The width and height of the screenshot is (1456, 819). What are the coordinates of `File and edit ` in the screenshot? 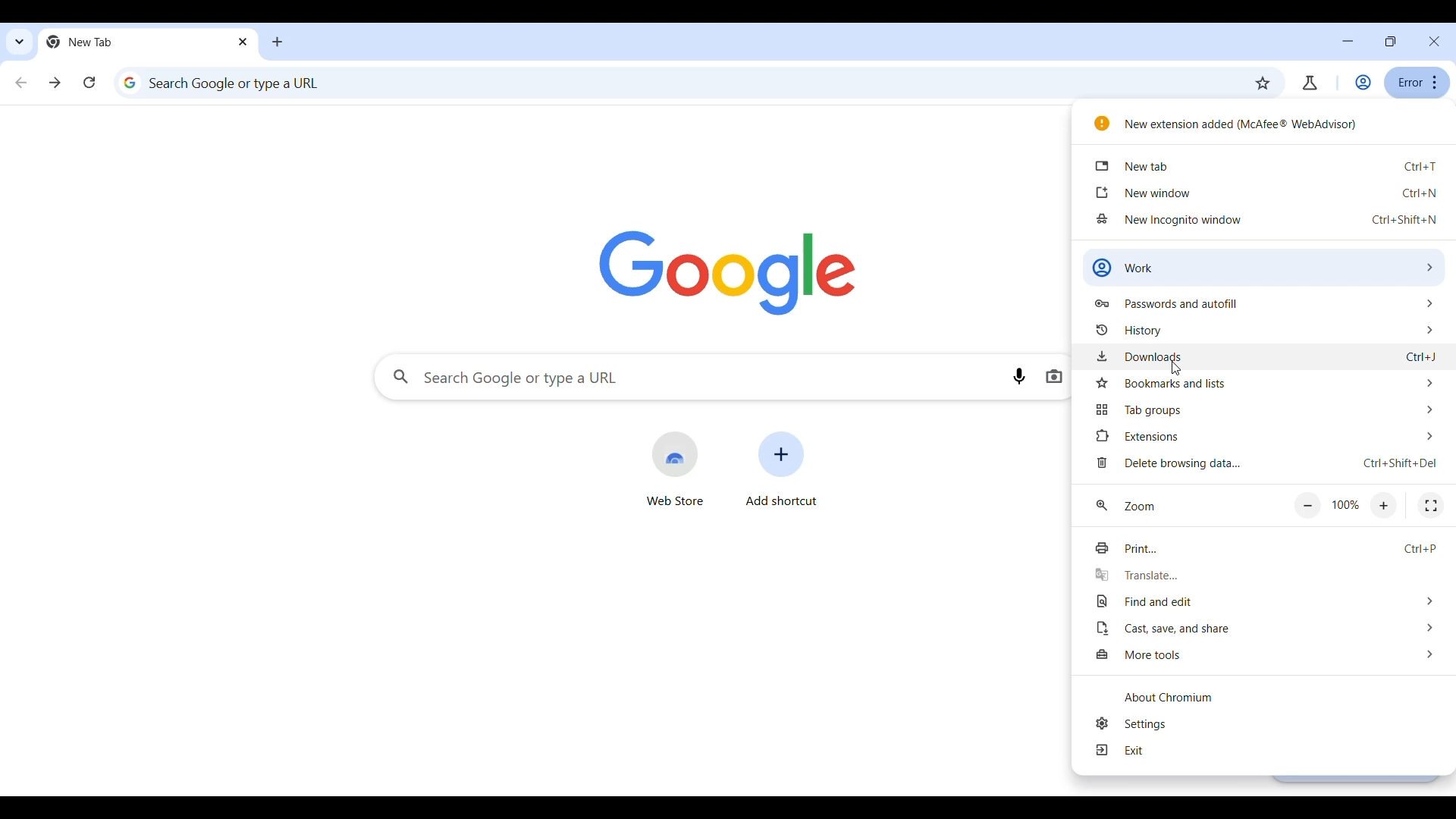 It's located at (1265, 601).